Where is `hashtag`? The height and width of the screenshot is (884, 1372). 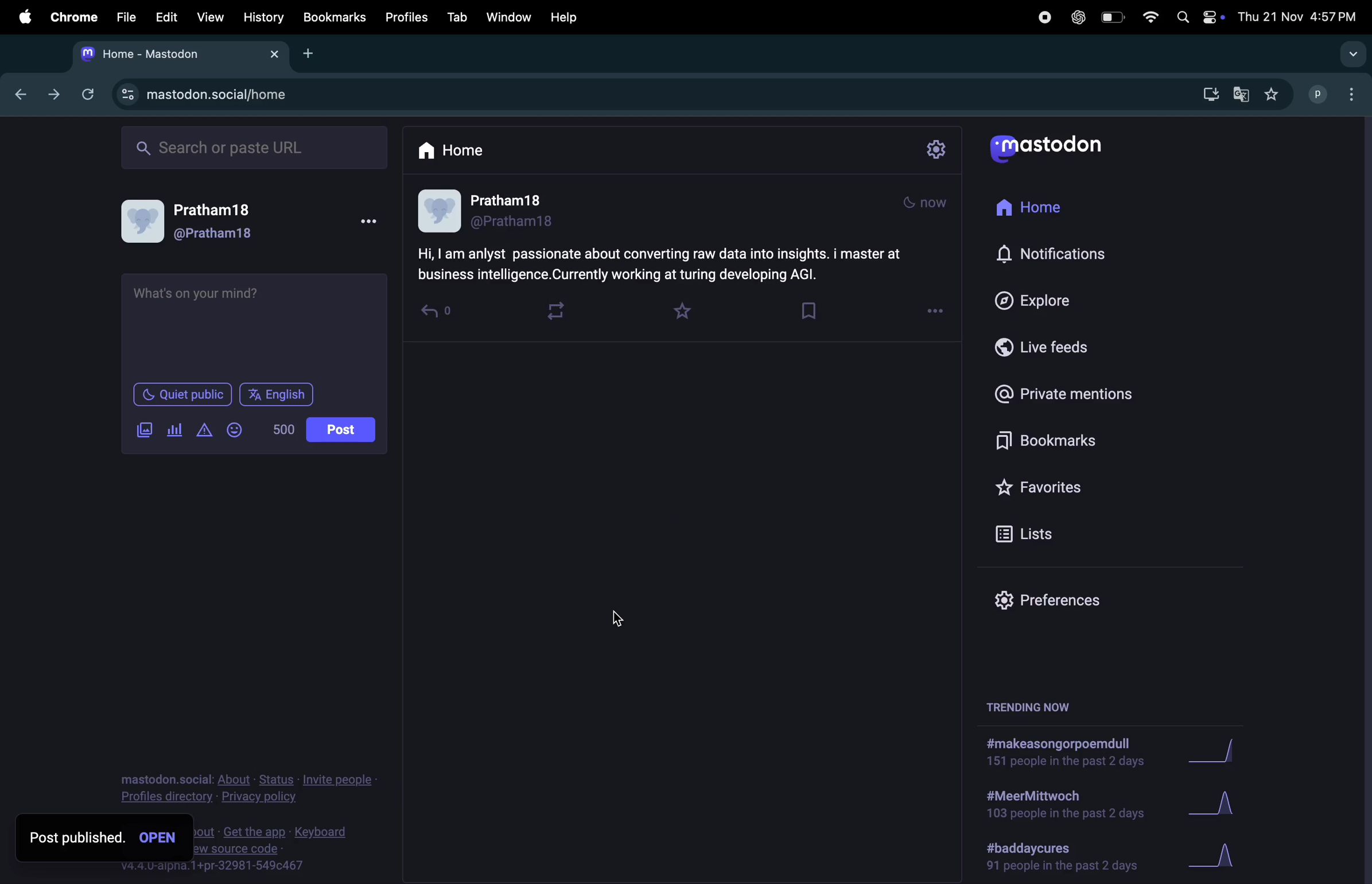
hashtag is located at coordinates (1066, 858).